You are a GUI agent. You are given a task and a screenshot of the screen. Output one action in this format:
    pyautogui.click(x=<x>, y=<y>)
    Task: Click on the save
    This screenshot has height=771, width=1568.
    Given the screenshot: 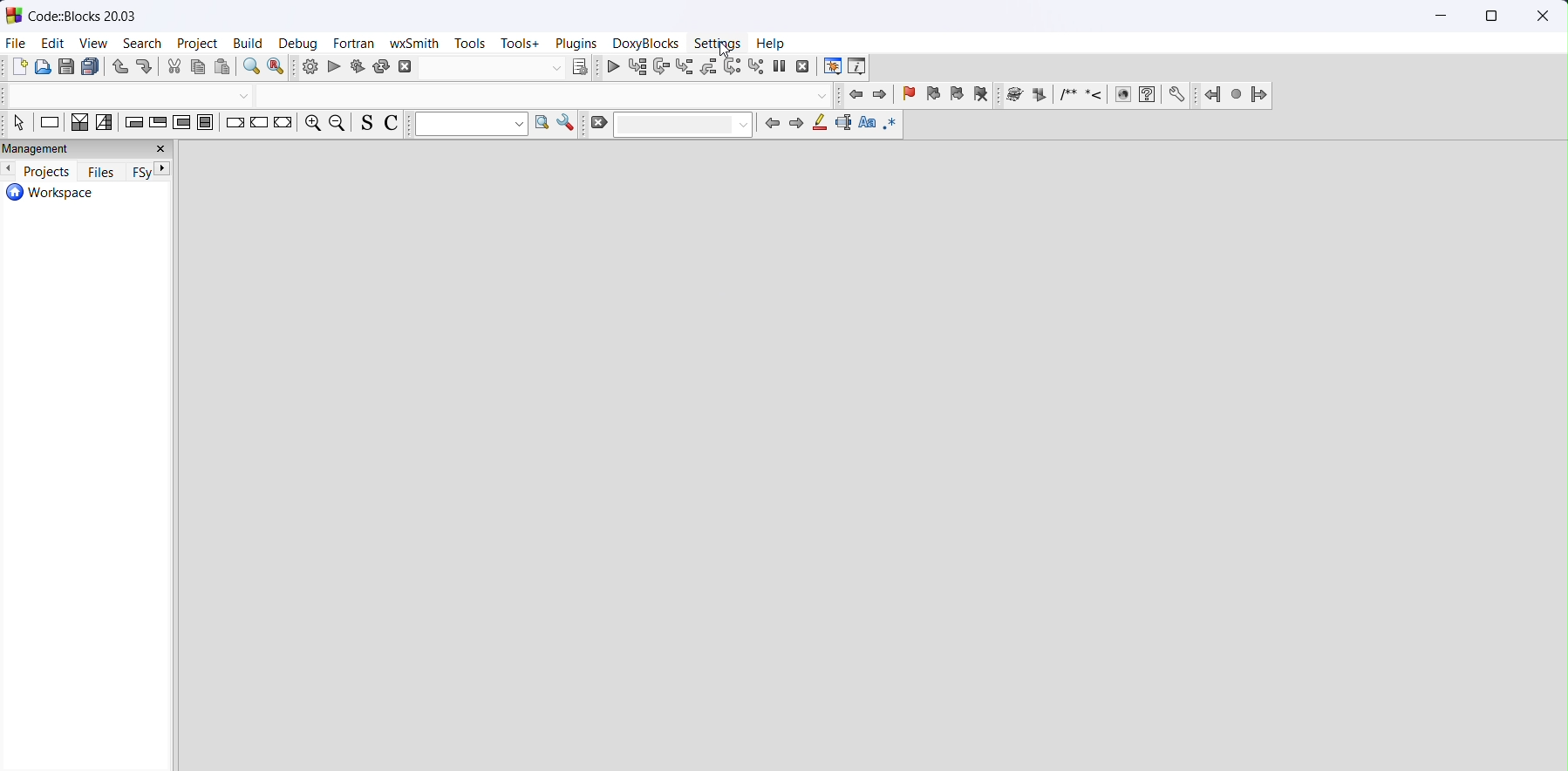 What is the action you would take?
    pyautogui.click(x=68, y=67)
    